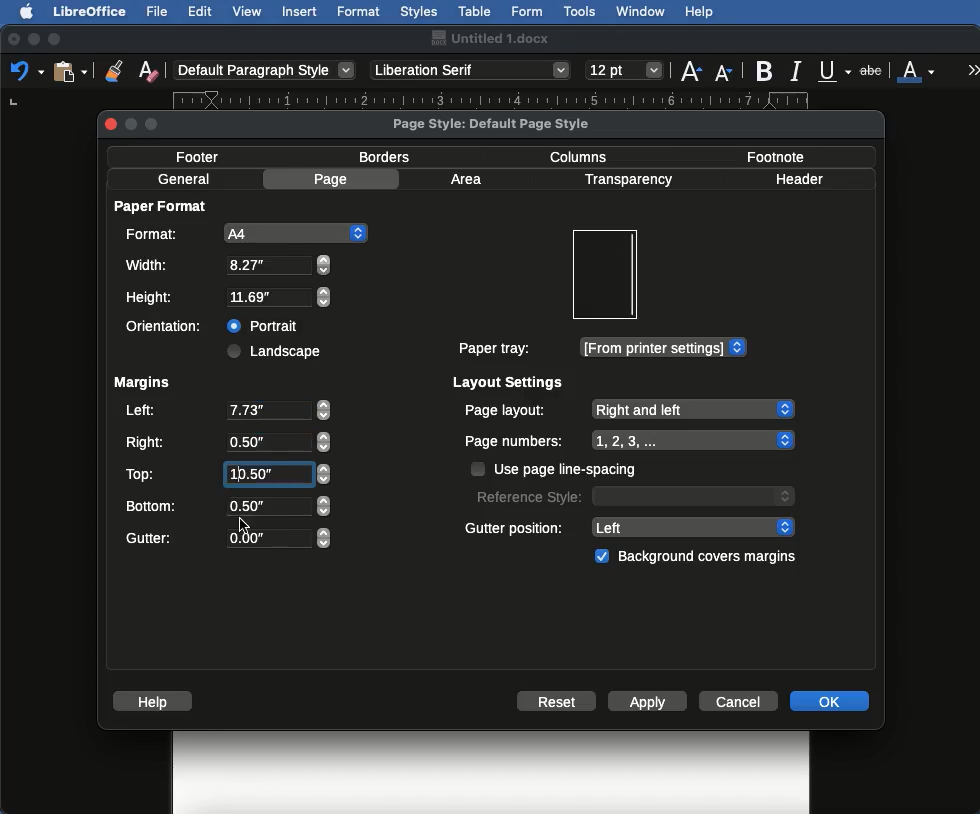 Image resolution: width=980 pixels, height=814 pixels. Describe the element at coordinates (162, 205) in the screenshot. I see `Paper format` at that location.